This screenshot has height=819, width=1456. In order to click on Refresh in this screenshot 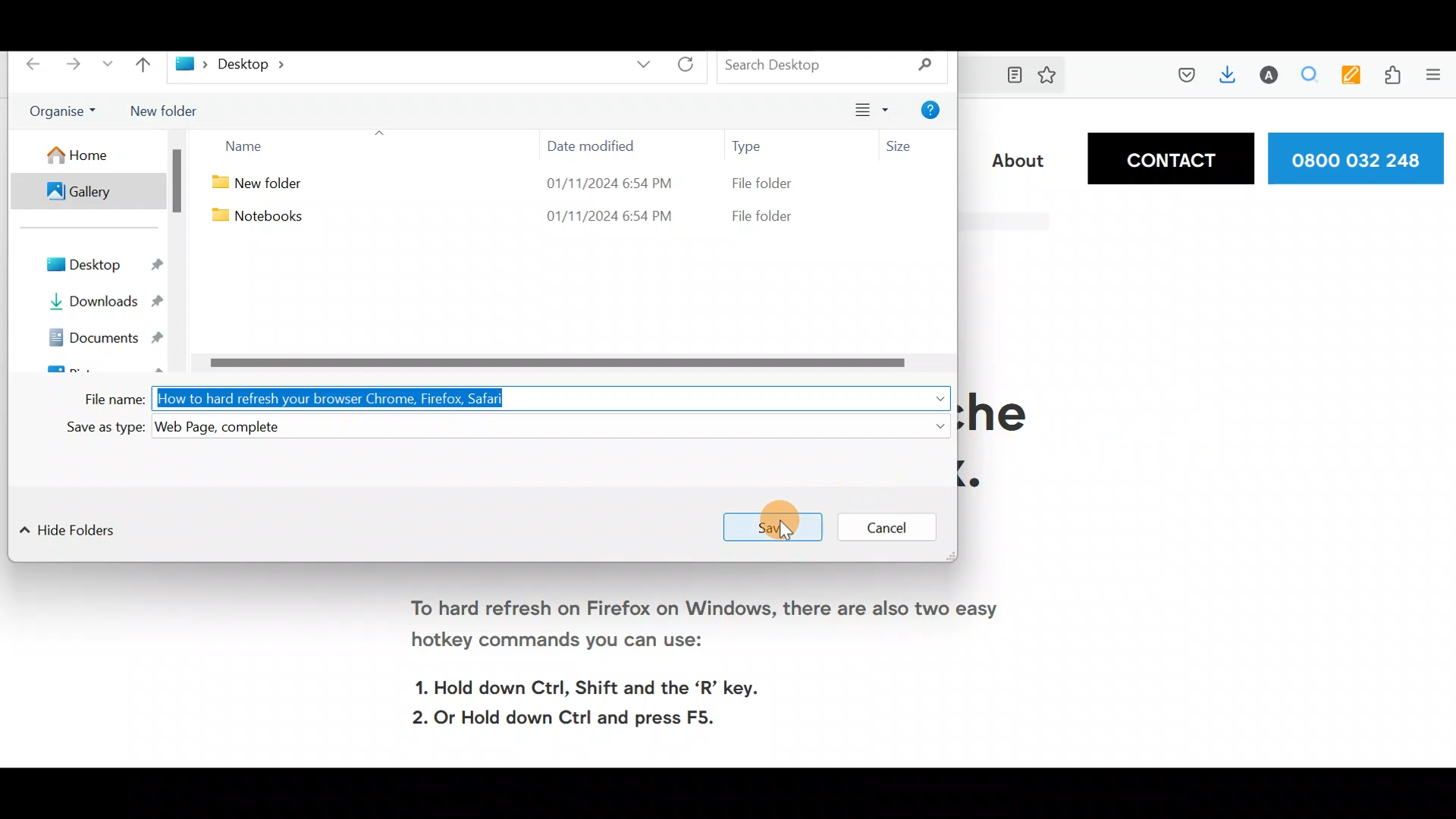, I will do `click(694, 68)`.